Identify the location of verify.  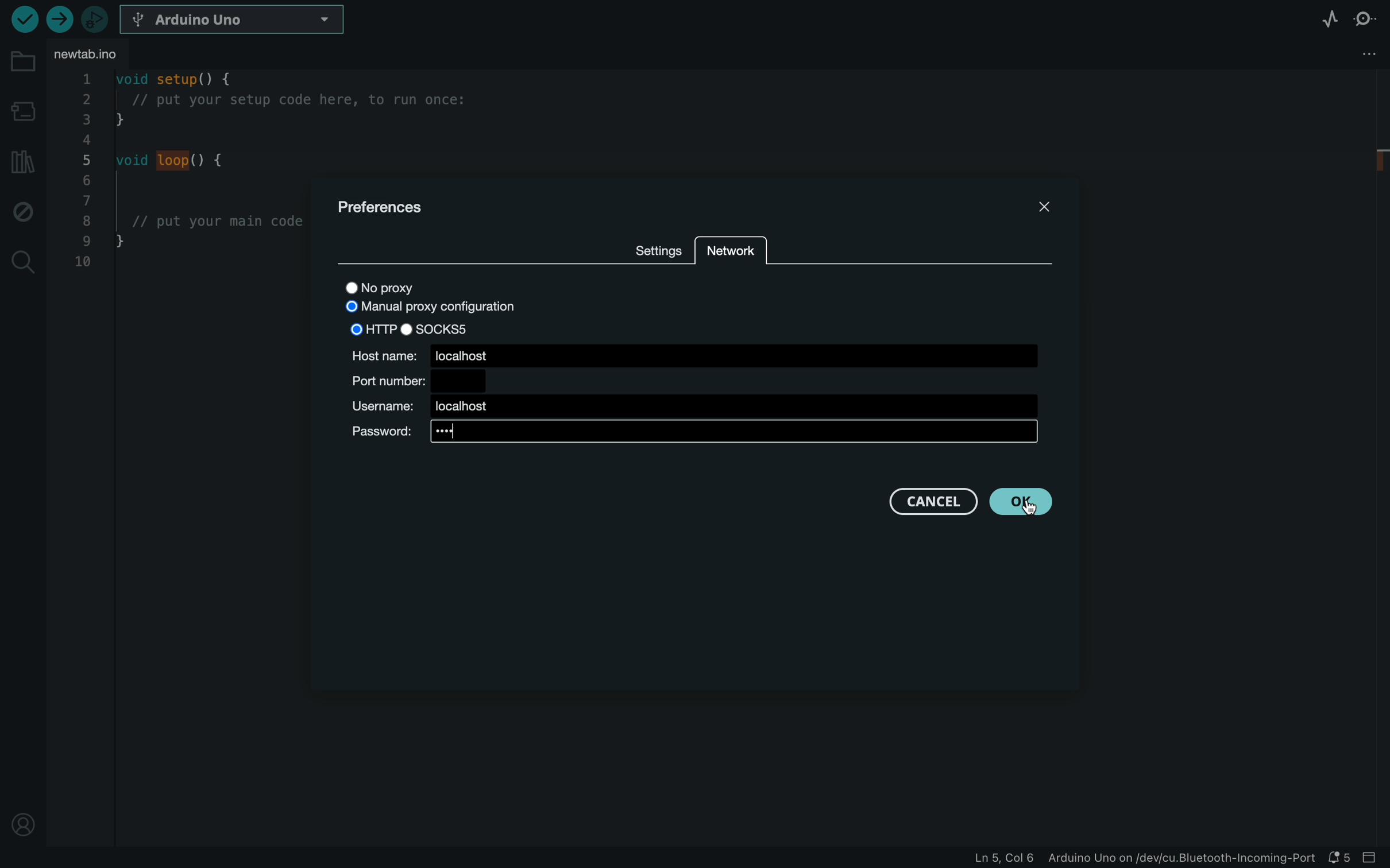
(24, 19).